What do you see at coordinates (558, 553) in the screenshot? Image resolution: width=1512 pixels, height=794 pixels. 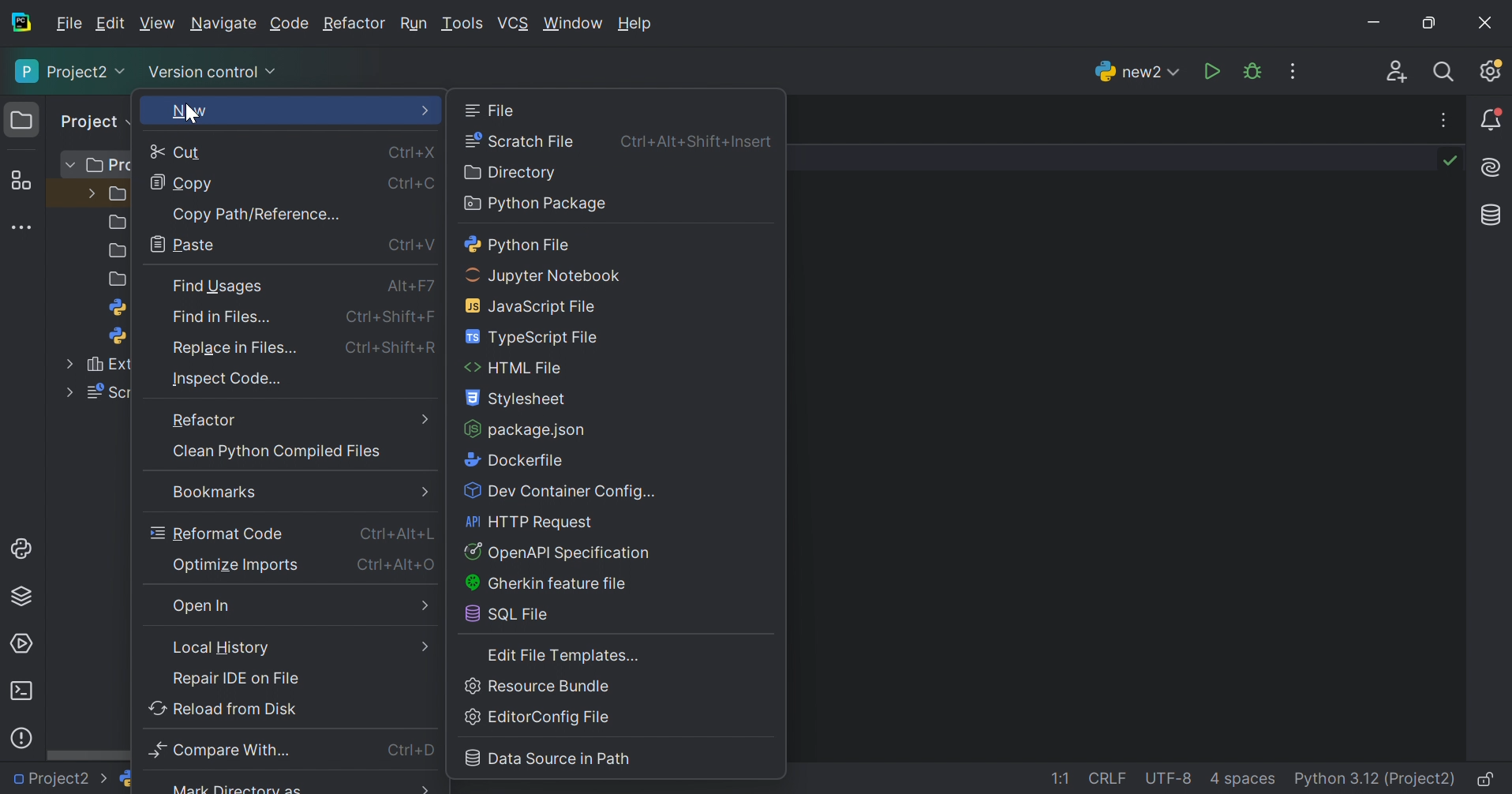 I see `Open API specification` at bounding box center [558, 553].